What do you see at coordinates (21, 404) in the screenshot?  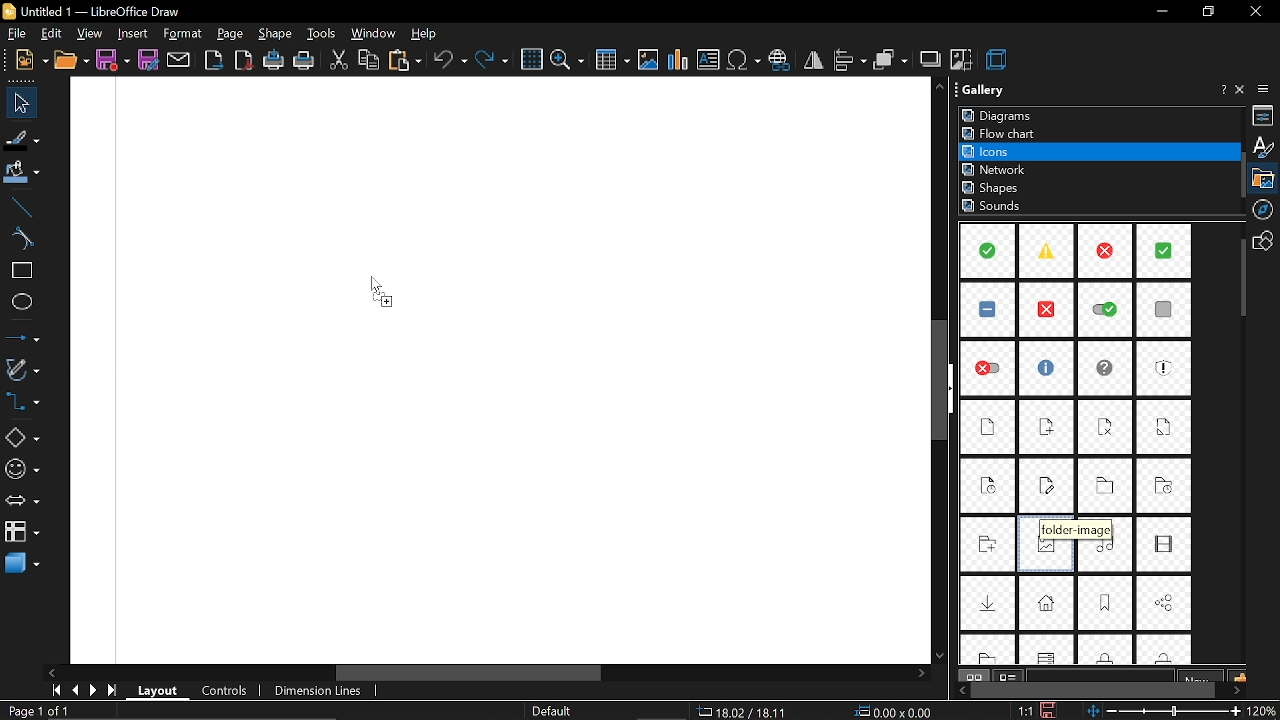 I see `connector` at bounding box center [21, 404].